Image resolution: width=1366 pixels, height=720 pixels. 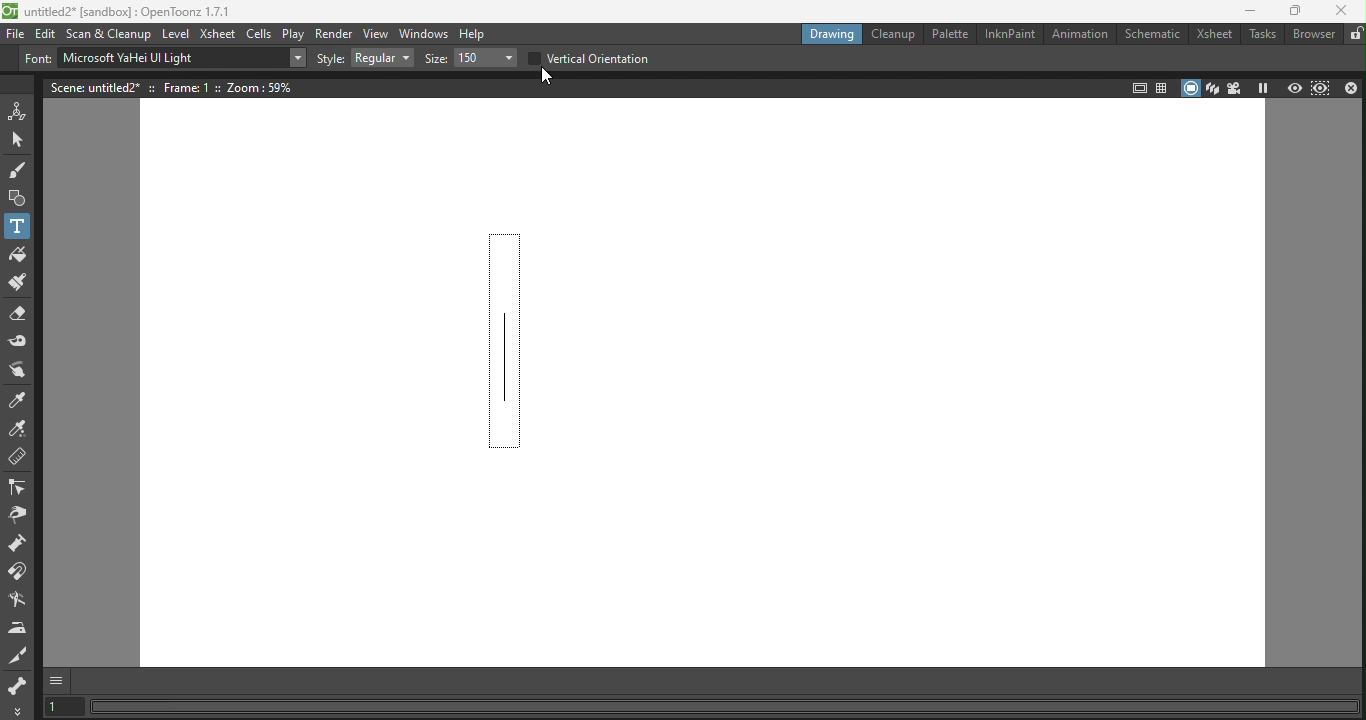 What do you see at coordinates (1352, 35) in the screenshot?
I see `Lock rooms tab` at bounding box center [1352, 35].